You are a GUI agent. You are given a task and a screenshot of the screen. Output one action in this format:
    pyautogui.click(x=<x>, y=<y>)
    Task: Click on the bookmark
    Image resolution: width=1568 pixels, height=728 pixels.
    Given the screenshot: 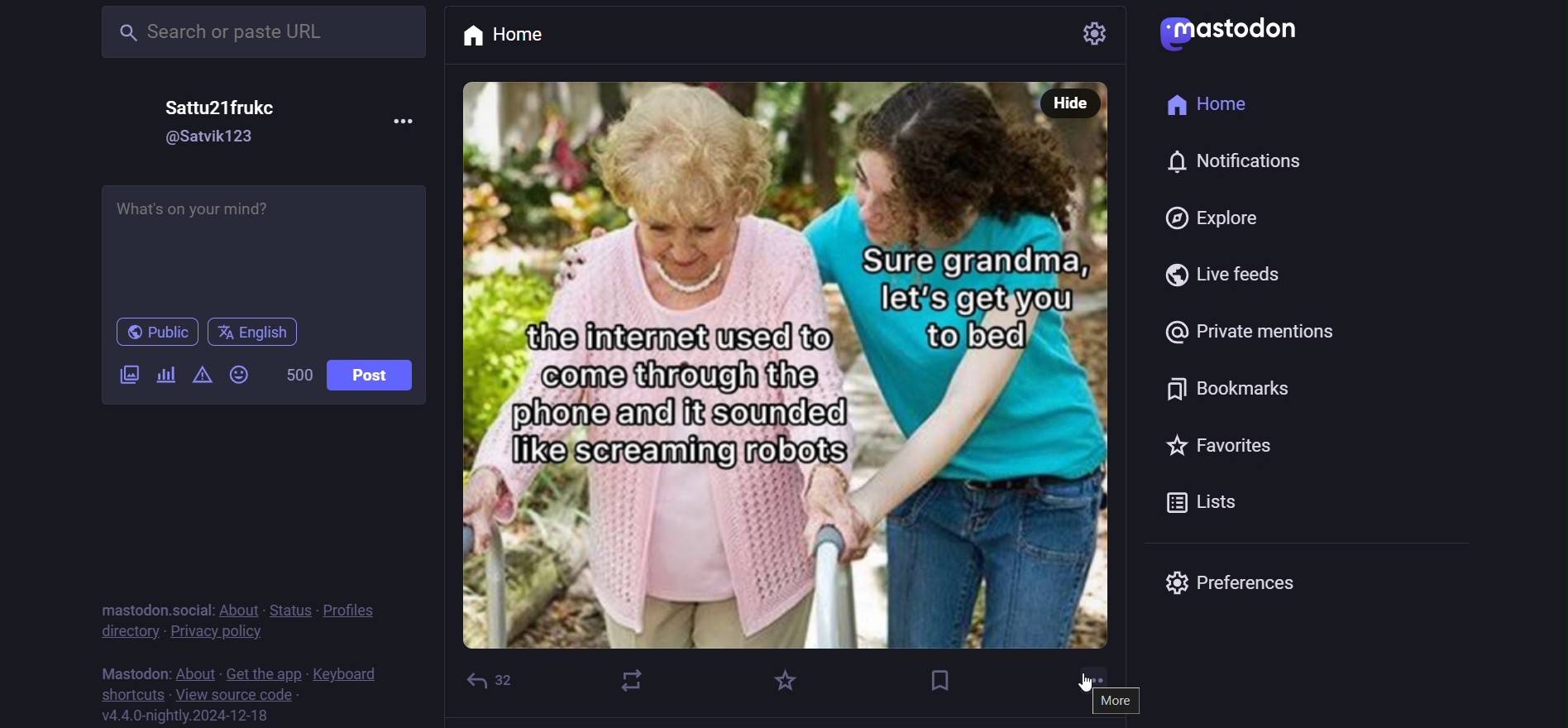 What is the action you would take?
    pyautogui.click(x=944, y=679)
    